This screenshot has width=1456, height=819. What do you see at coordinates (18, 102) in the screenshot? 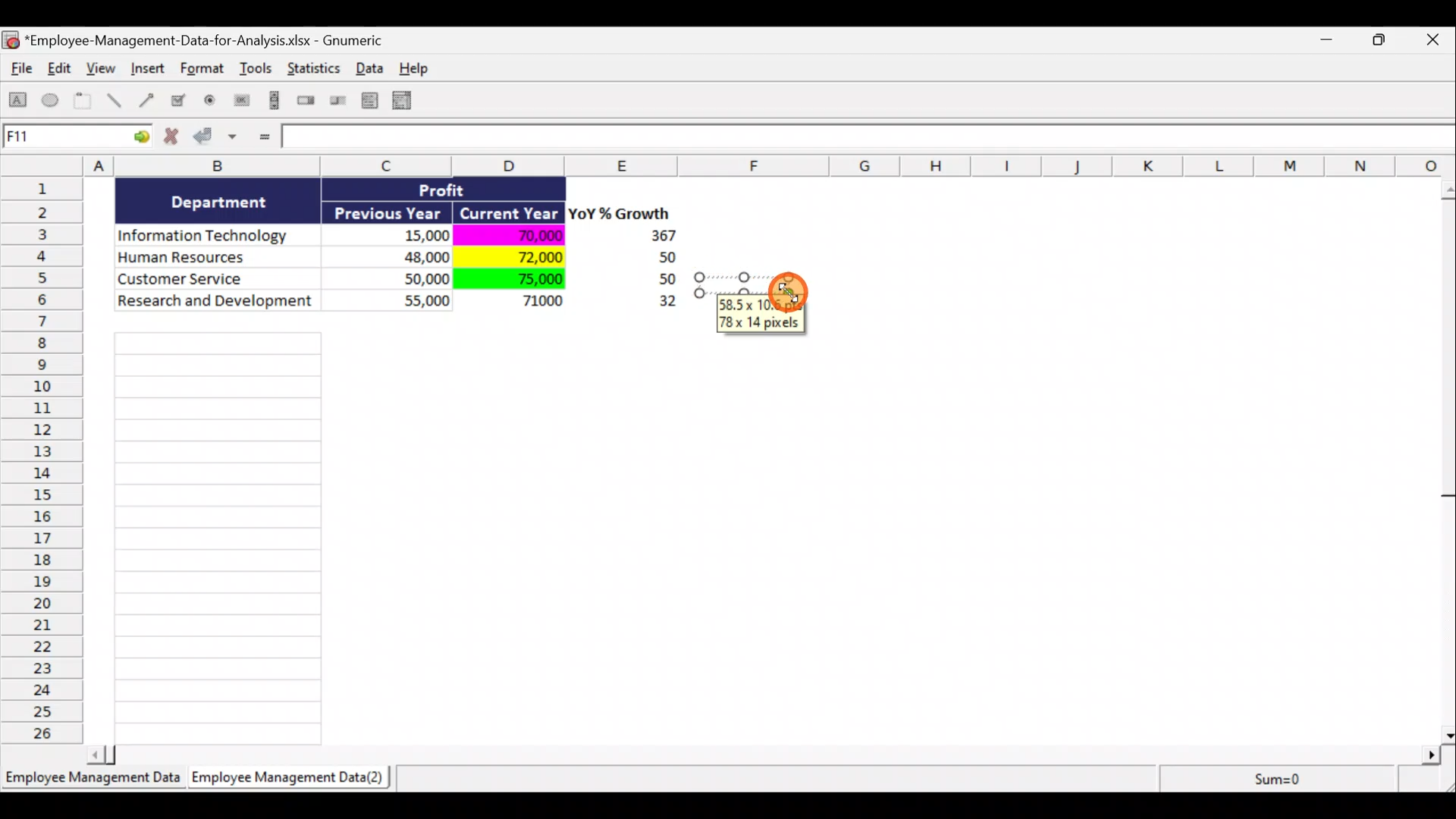
I see `Create a rectangle object` at bounding box center [18, 102].